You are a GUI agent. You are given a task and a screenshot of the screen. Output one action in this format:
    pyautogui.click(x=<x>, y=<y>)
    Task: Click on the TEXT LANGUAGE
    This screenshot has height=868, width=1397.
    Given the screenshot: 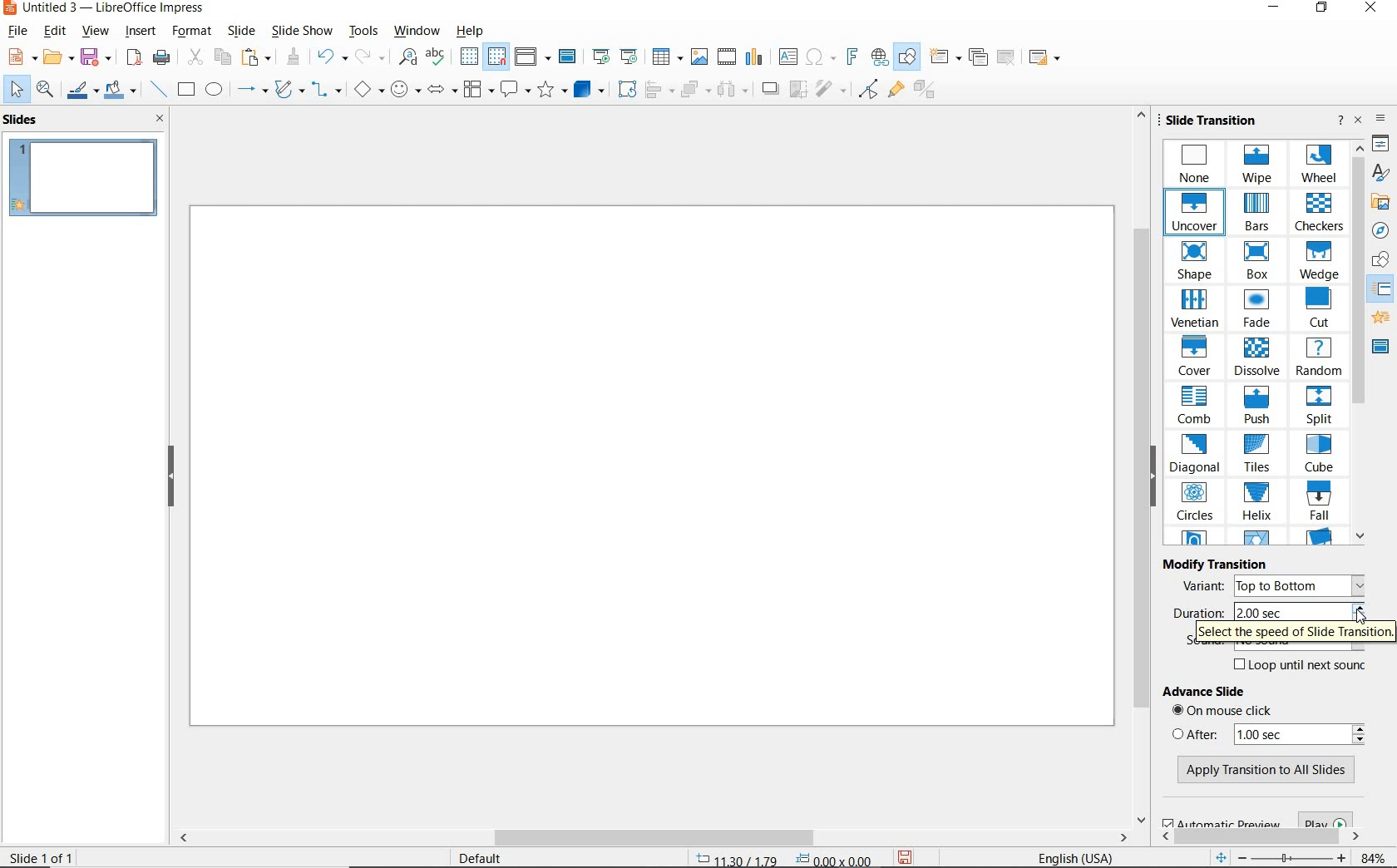 What is the action you would take?
    pyautogui.click(x=1074, y=856)
    